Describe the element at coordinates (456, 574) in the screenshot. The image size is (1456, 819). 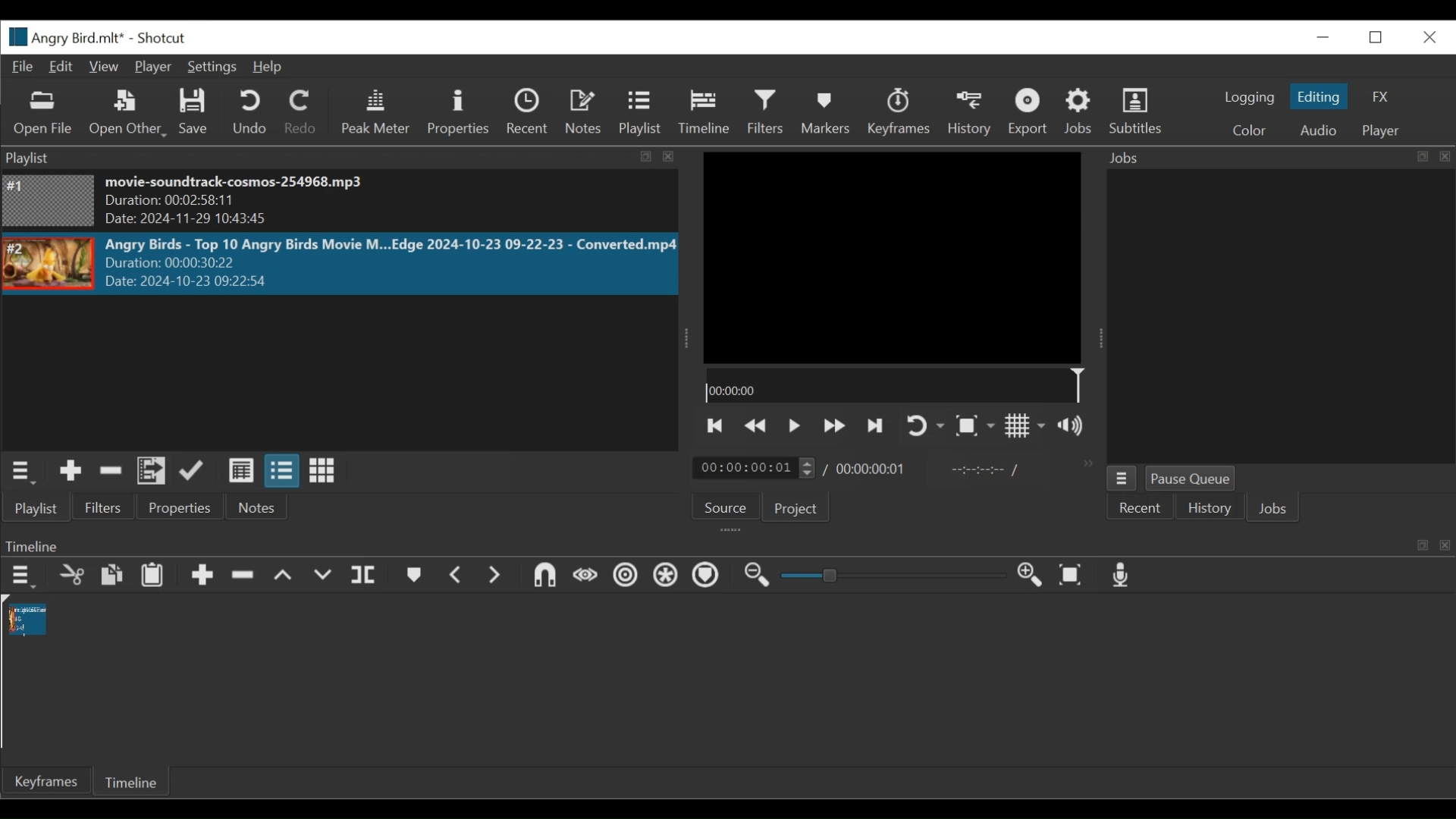
I see `Previous marker` at that location.